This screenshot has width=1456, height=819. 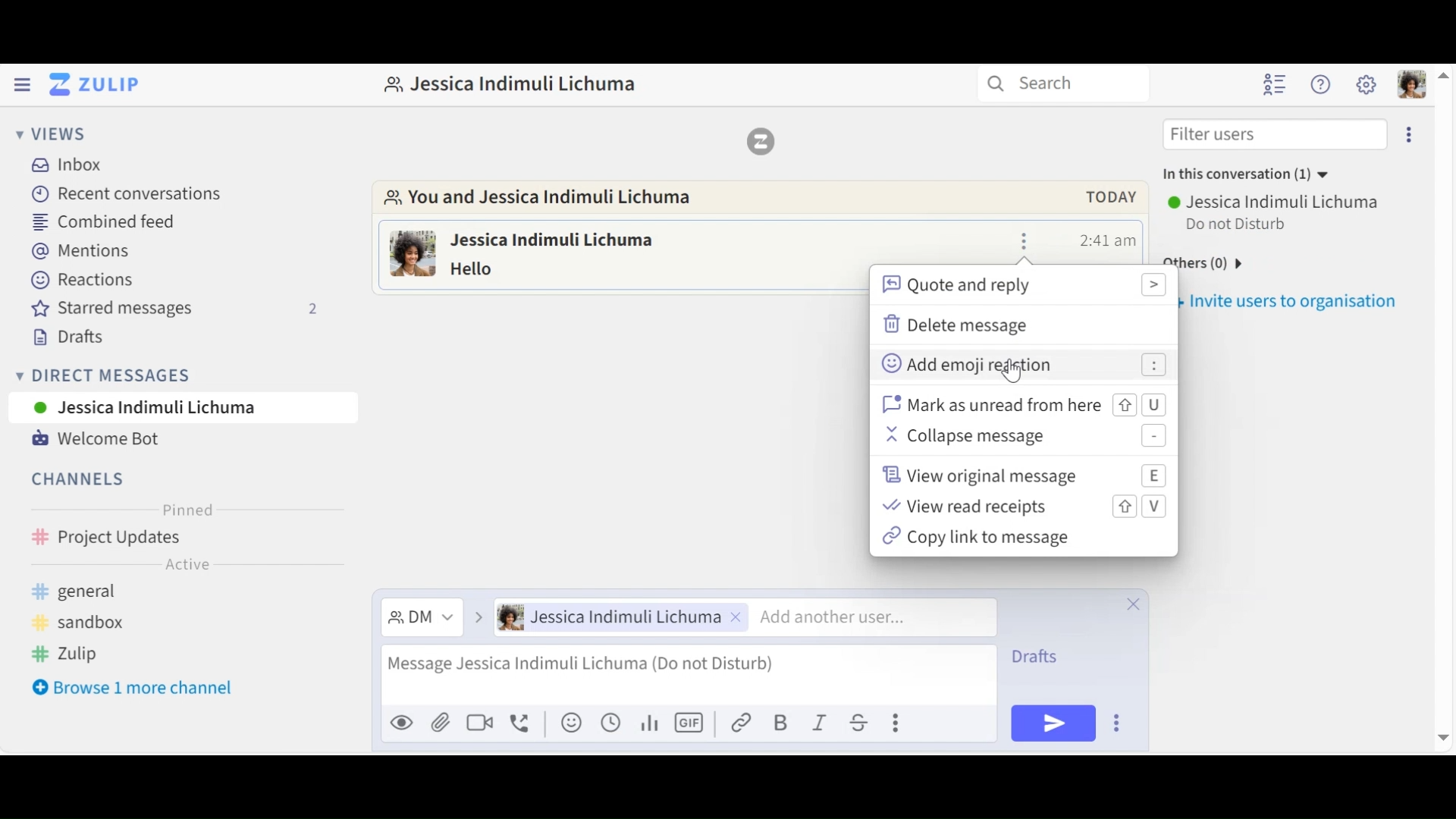 What do you see at coordinates (103, 439) in the screenshot?
I see `` at bounding box center [103, 439].